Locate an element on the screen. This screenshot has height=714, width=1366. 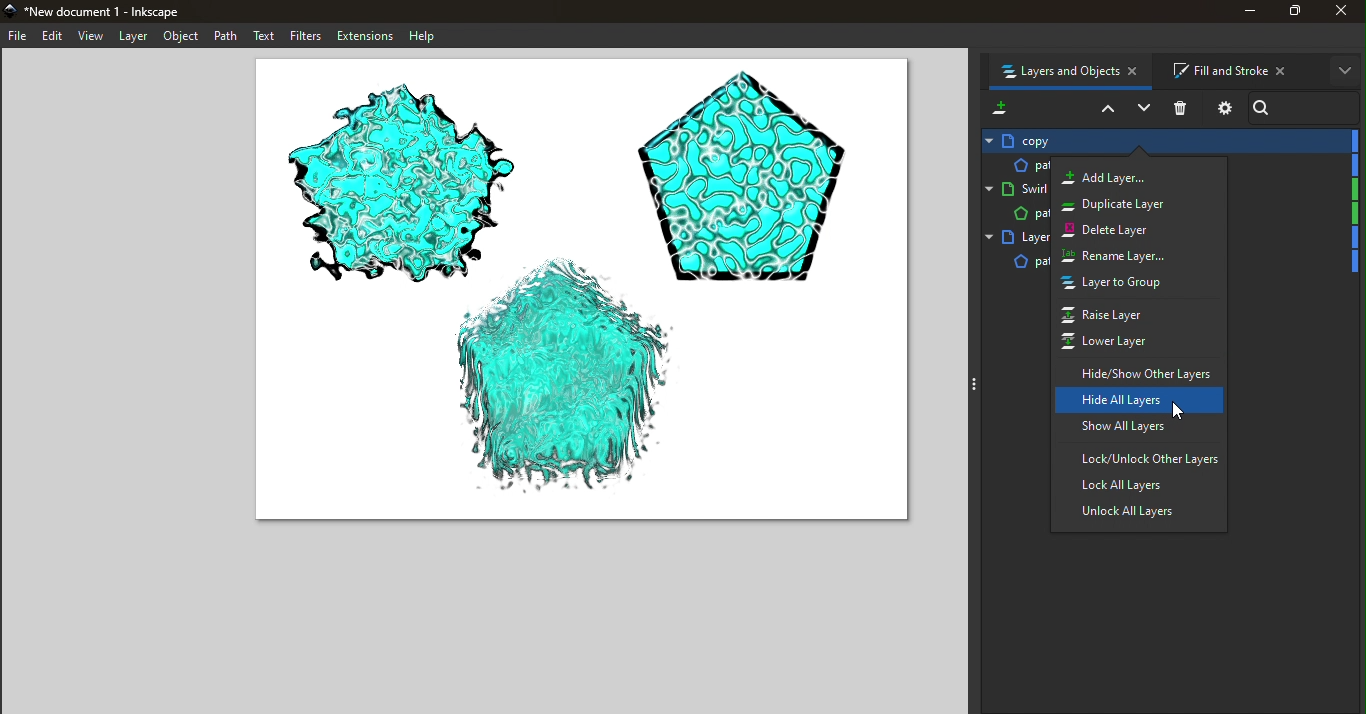
Duplicate layer is located at coordinates (1130, 202).